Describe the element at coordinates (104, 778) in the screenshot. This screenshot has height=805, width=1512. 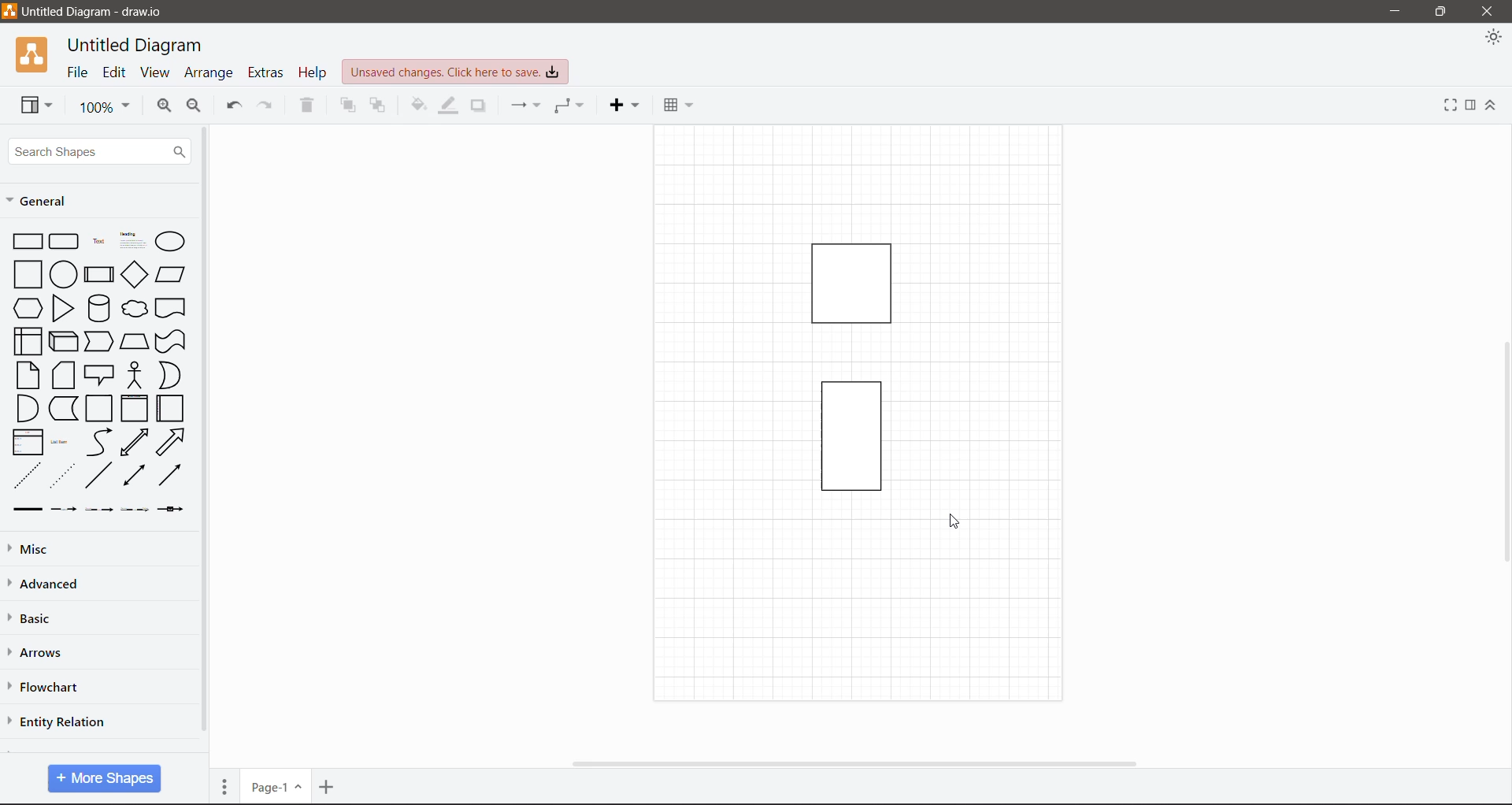
I see `More Shapes` at that location.